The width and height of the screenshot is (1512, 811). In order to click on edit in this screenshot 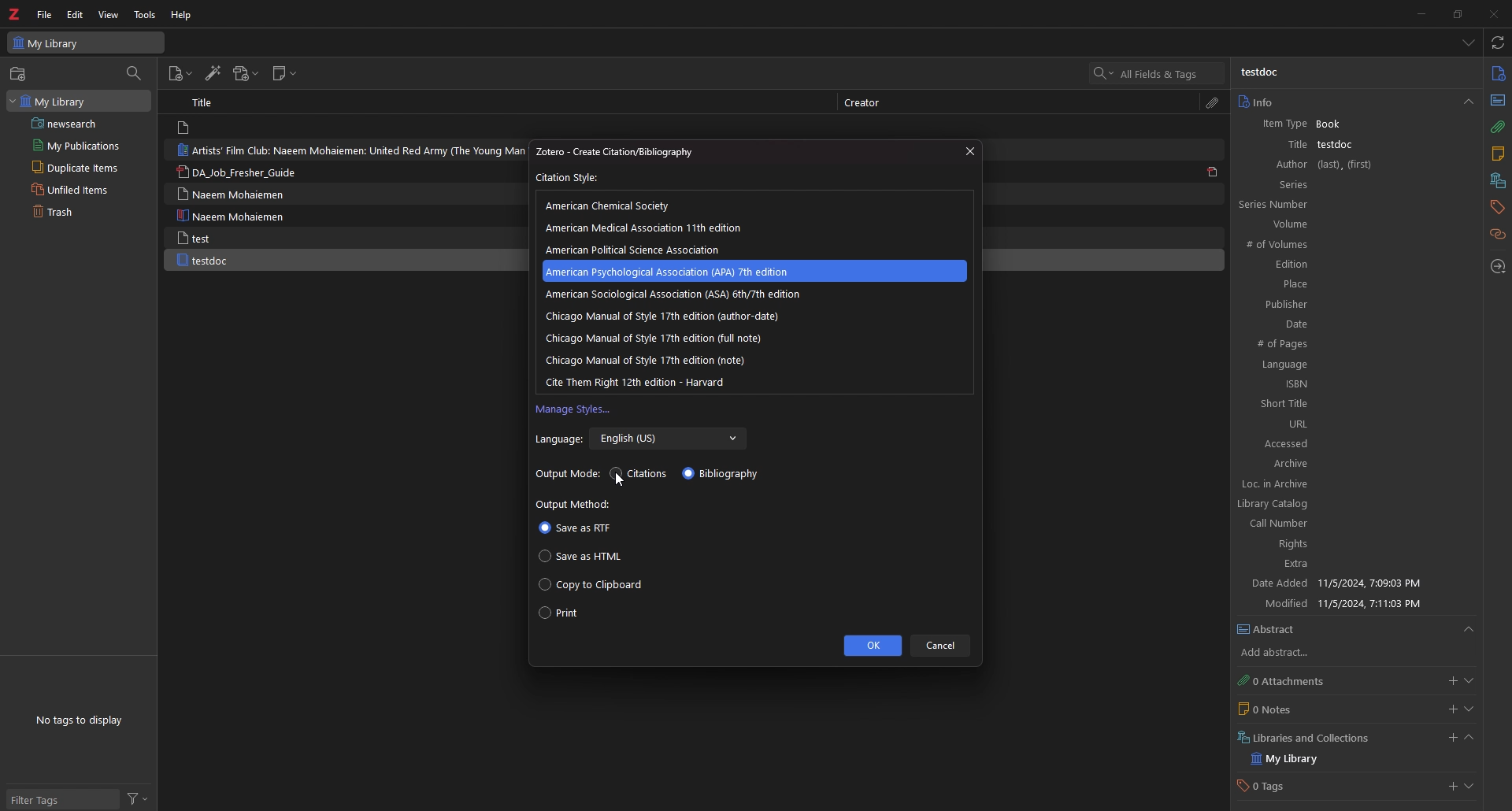, I will do `click(76, 14)`.